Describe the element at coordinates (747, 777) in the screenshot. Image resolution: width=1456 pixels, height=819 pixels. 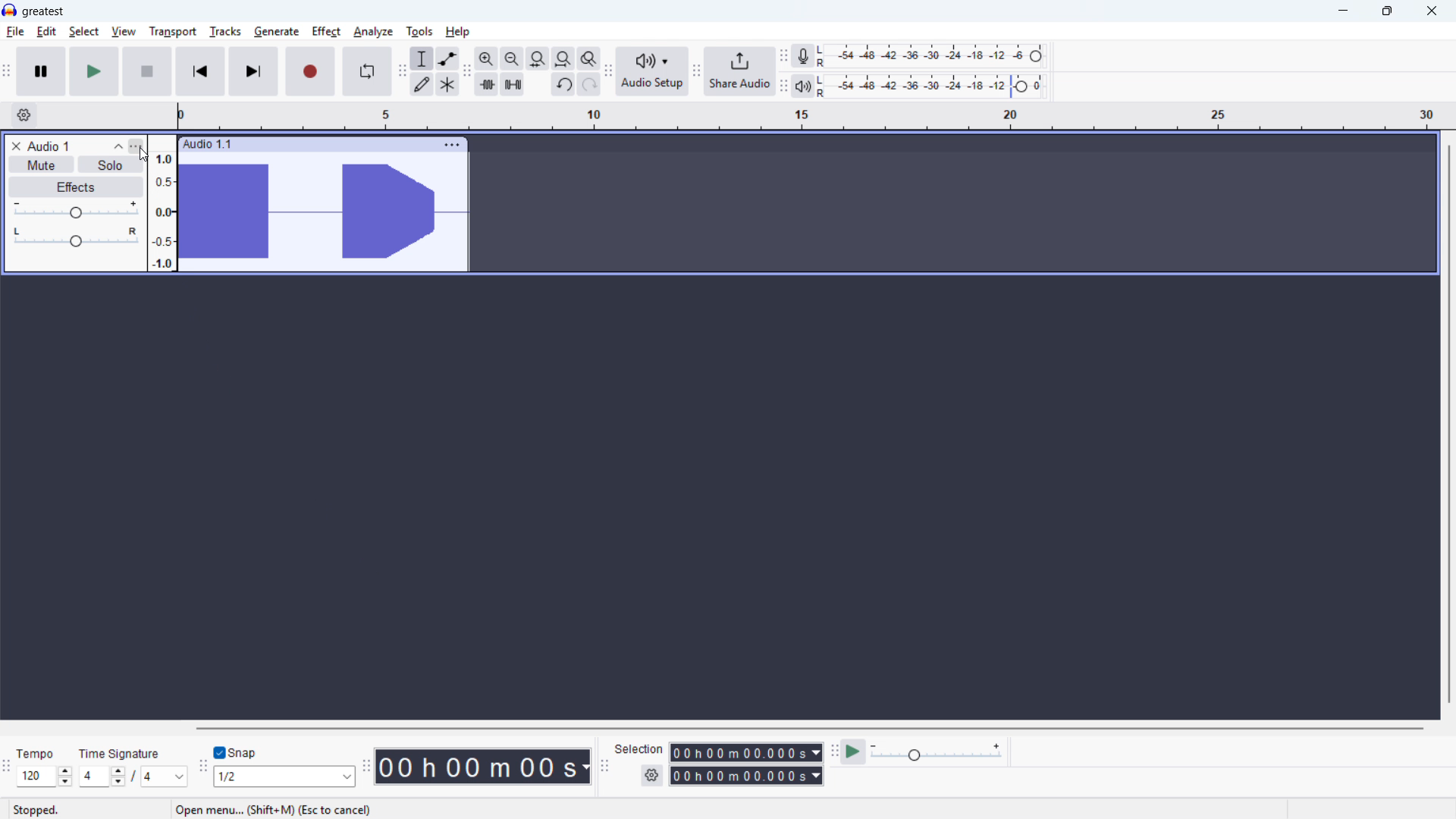
I see `selection end time` at that location.